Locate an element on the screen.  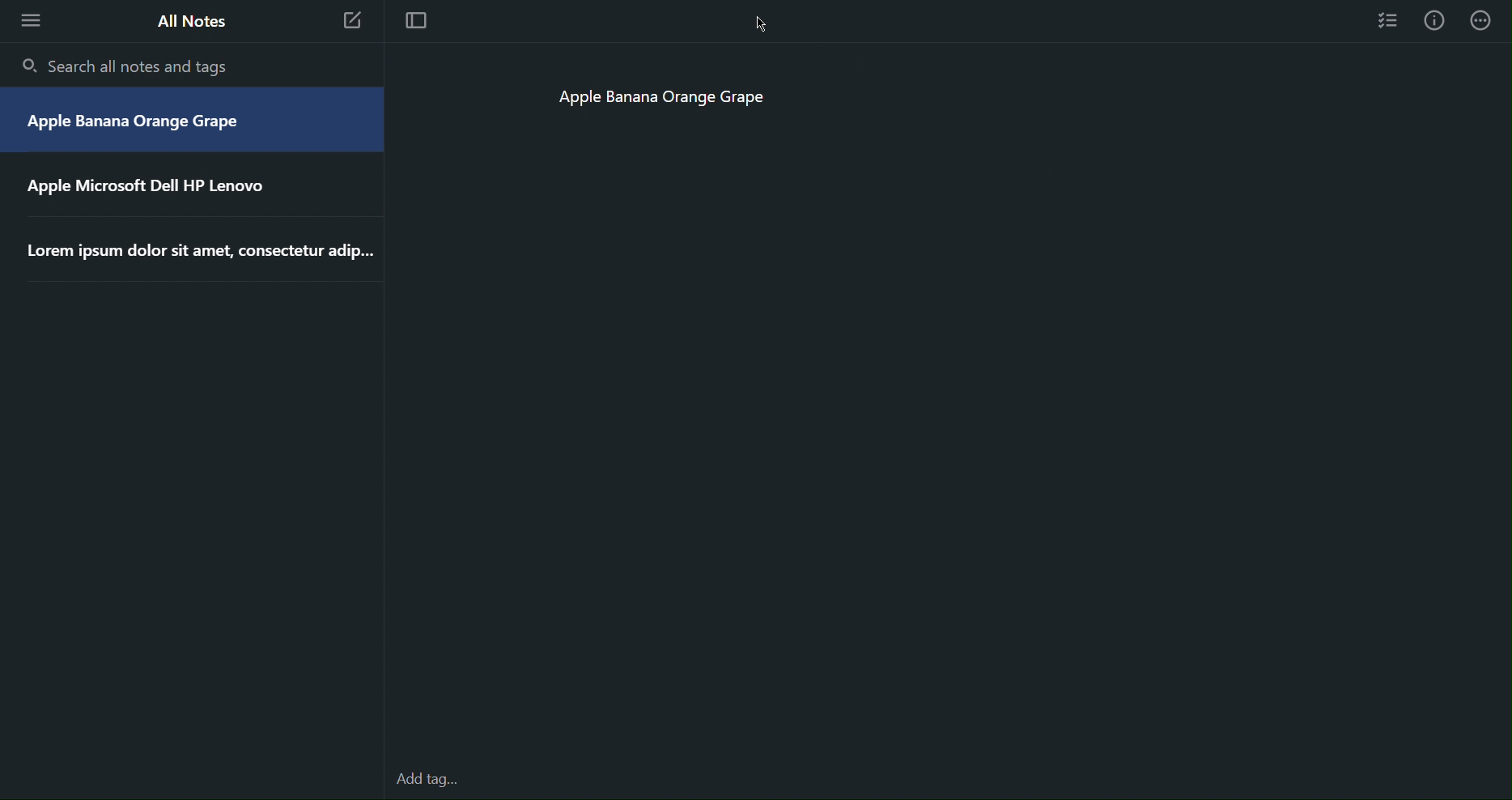
Add tag is located at coordinates (435, 781).